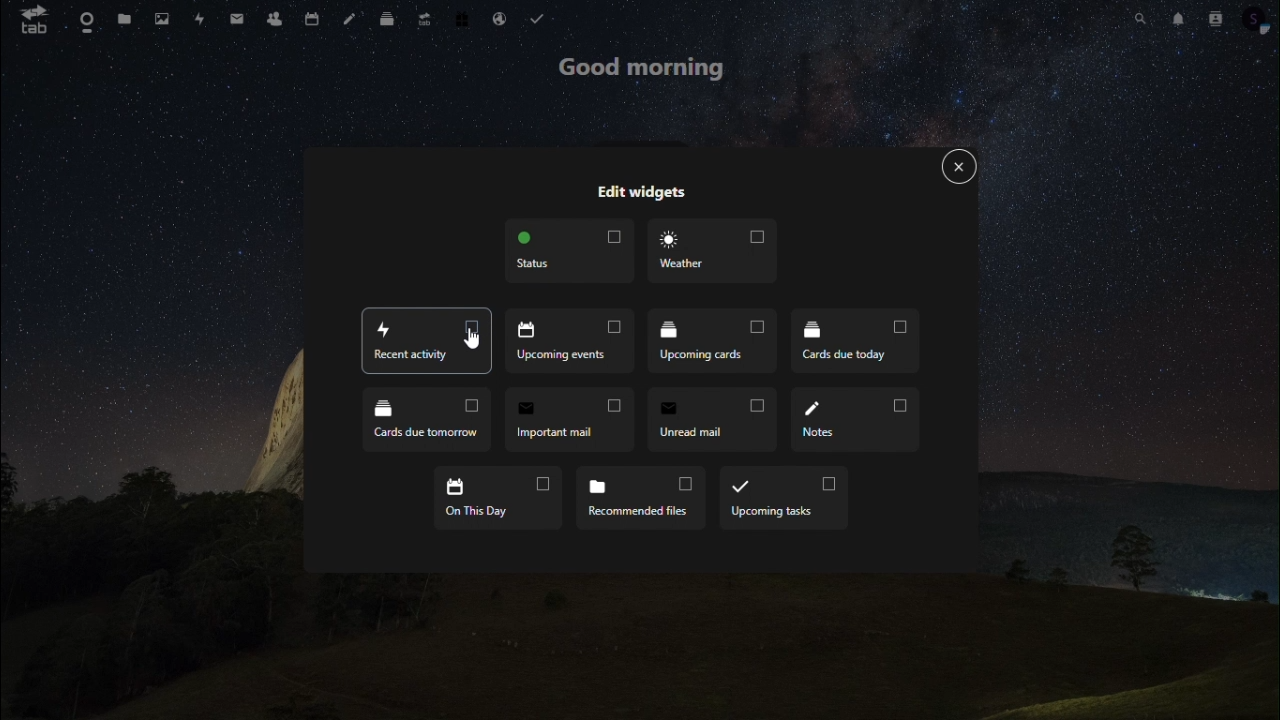  I want to click on notes, so click(854, 416).